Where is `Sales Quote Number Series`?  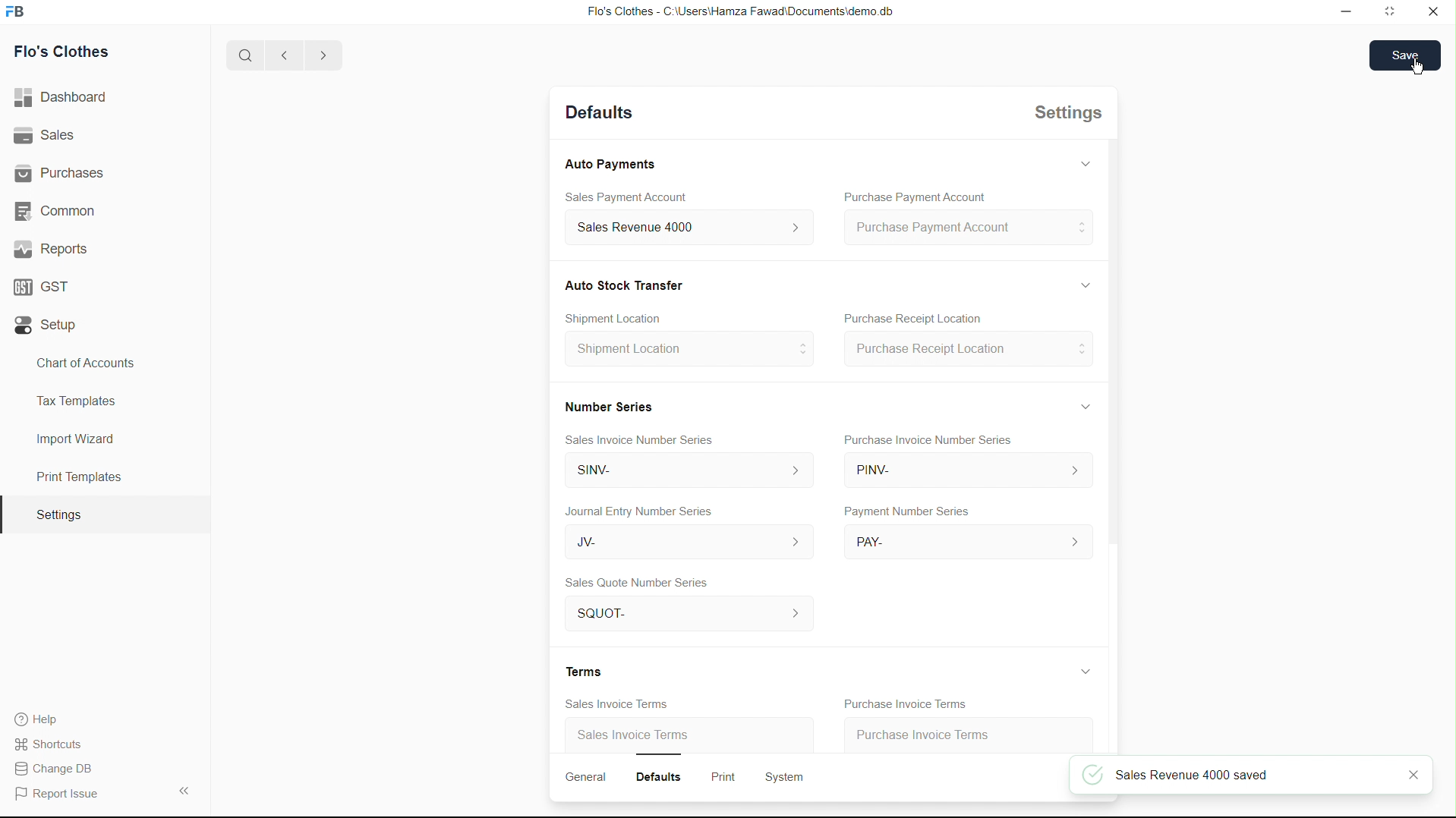
Sales Quote Number Series is located at coordinates (643, 582).